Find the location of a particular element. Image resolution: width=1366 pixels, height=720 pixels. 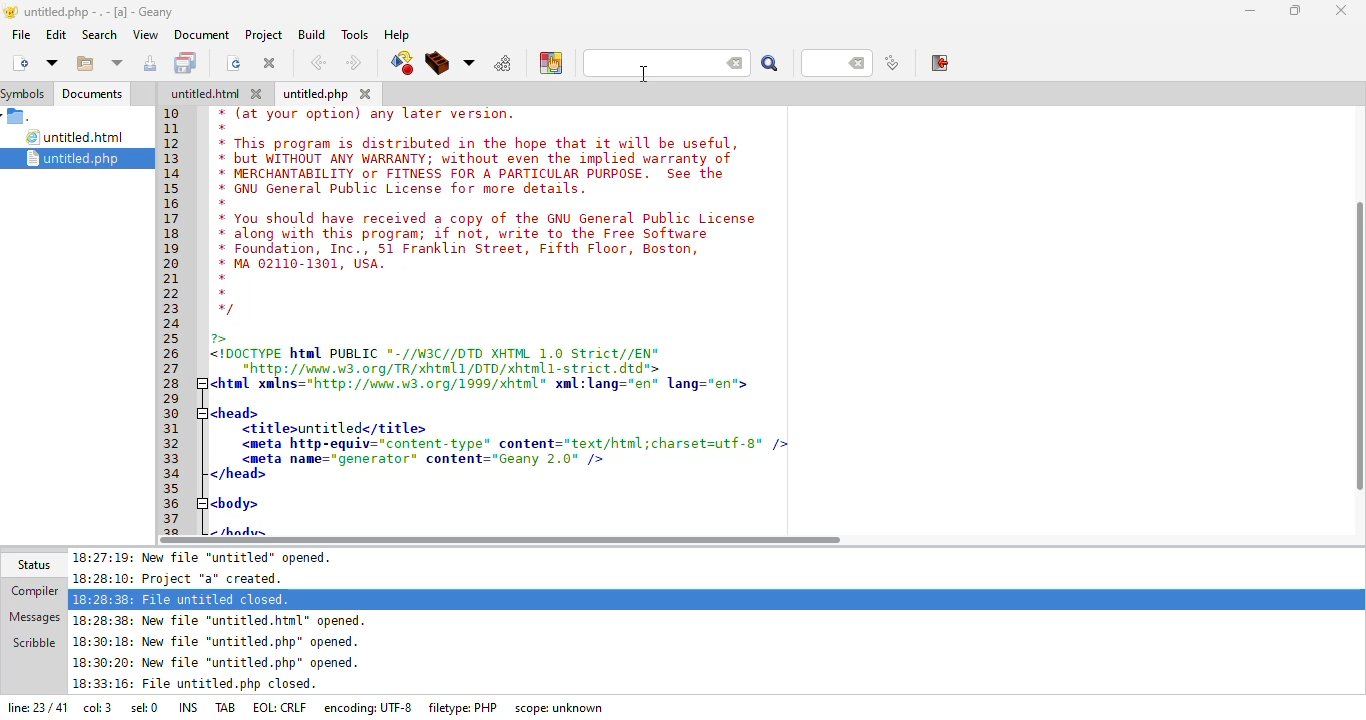

sel:0 is located at coordinates (144, 710).